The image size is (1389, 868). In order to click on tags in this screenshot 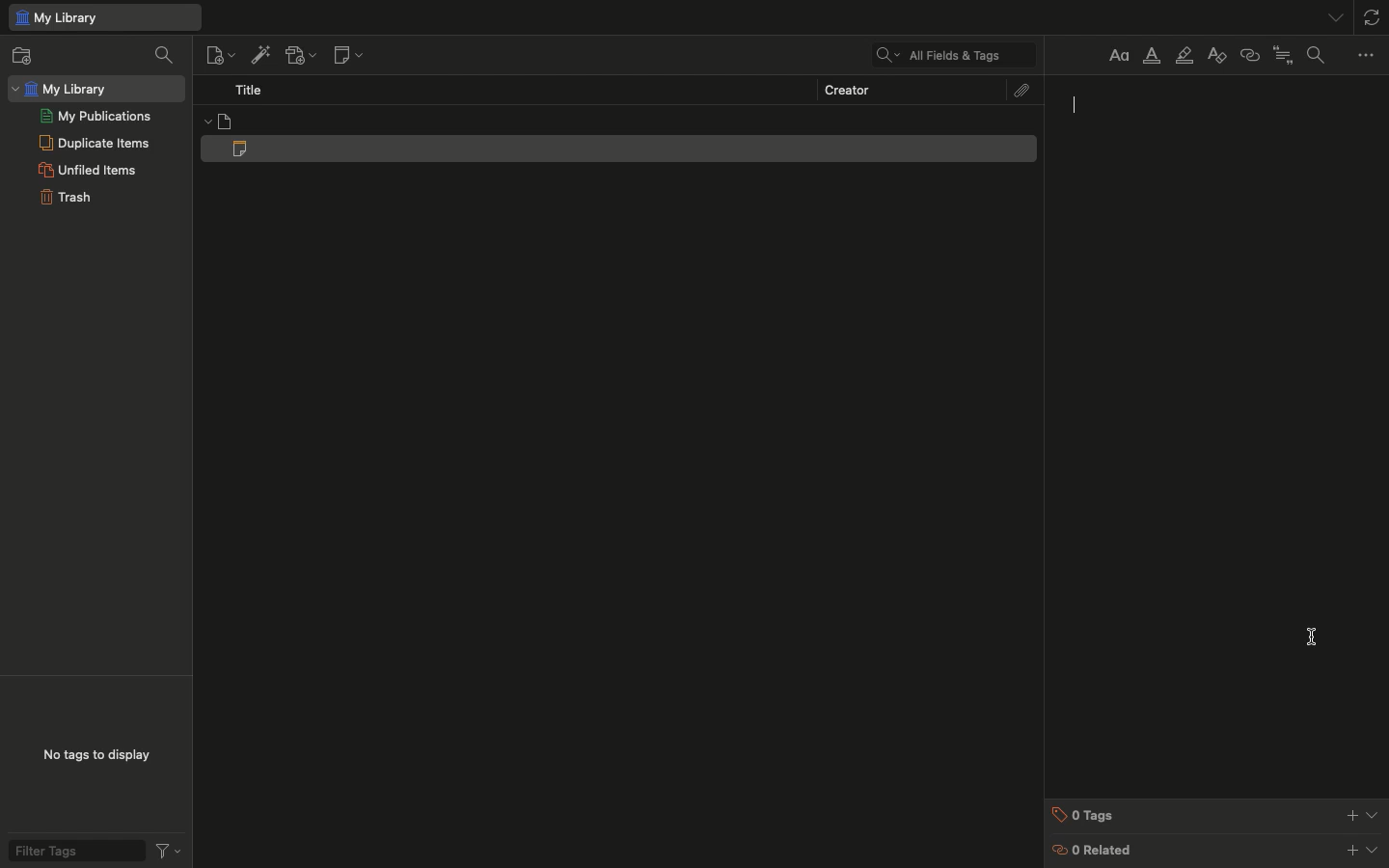, I will do `click(1217, 814)`.